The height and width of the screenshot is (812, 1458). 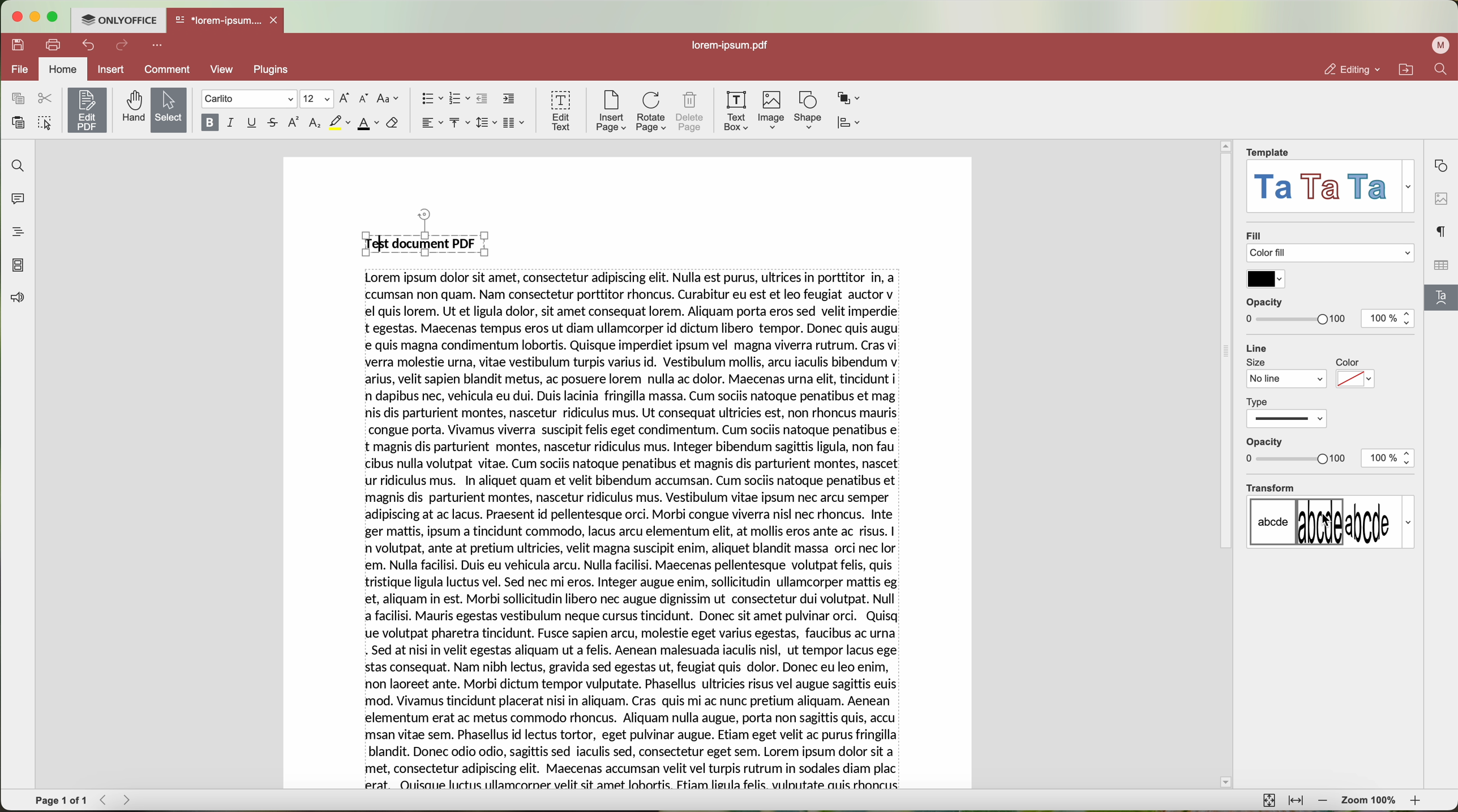 What do you see at coordinates (516, 123) in the screenshot?
I see `insert columns` at bounding box center [516, 123].